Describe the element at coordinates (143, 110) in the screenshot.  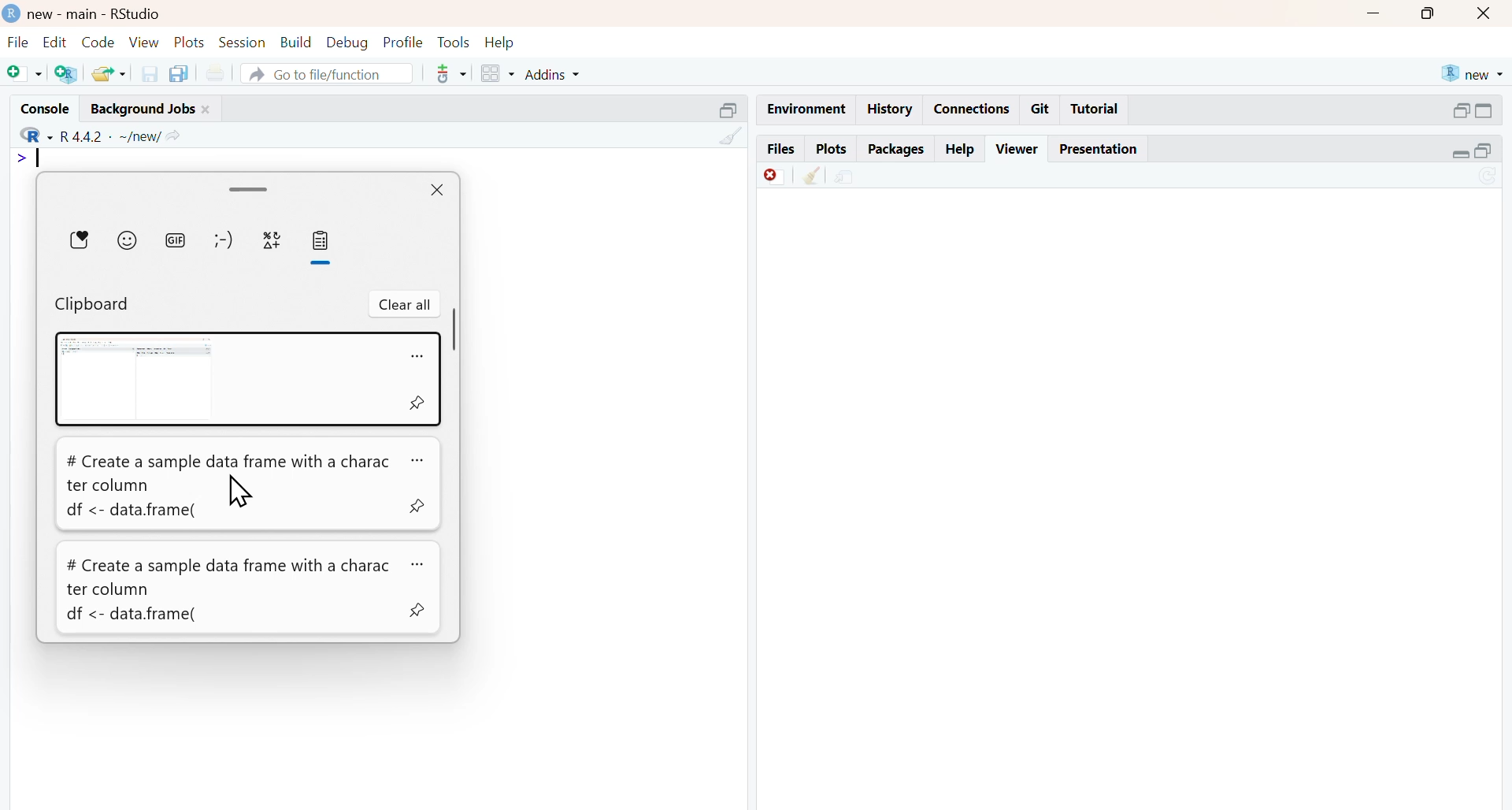
I see `background jobs` at that location.